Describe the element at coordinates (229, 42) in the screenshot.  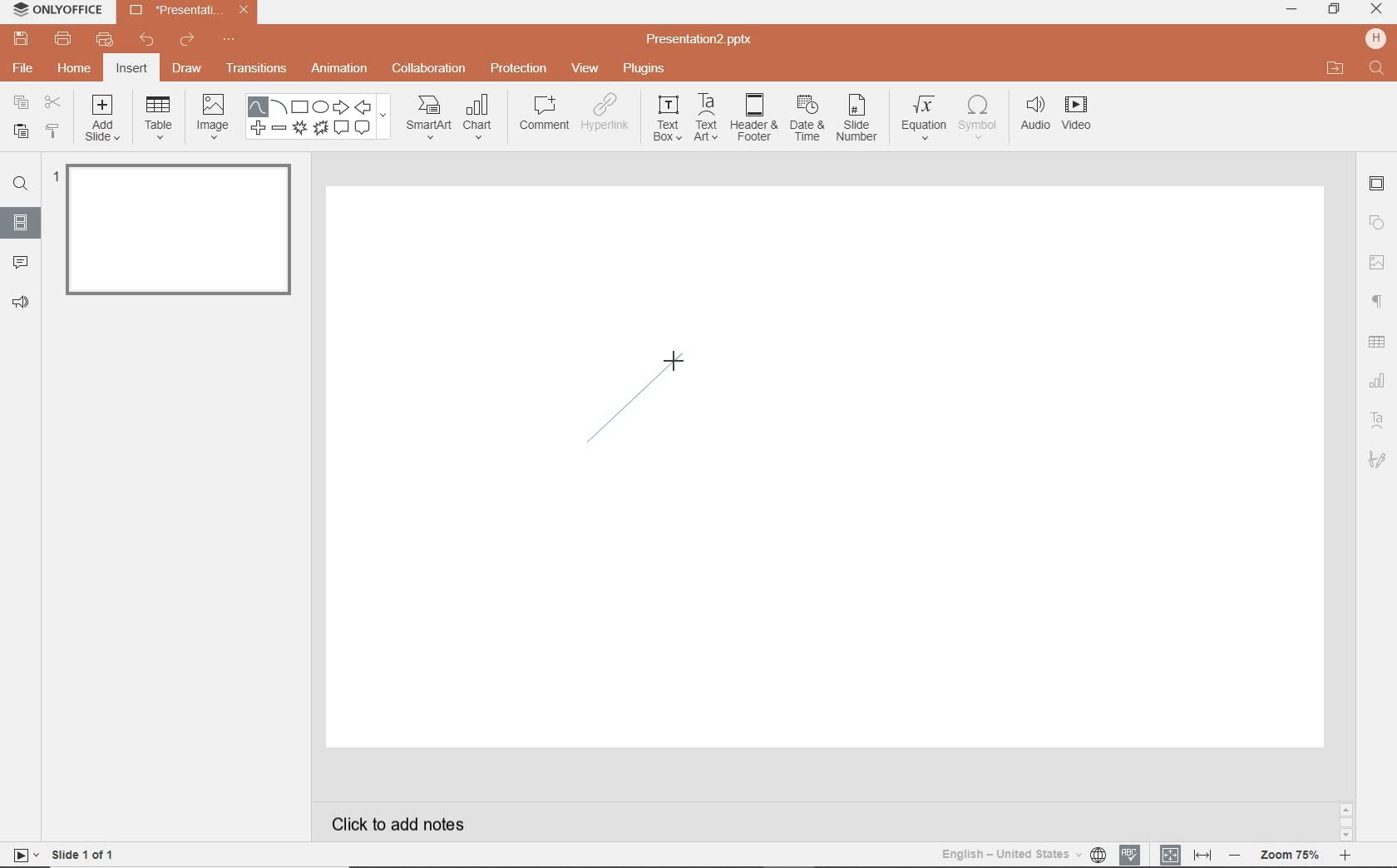
I see `CUSTOMIZE QUICK ACCESS TOOLBAR` at that location.